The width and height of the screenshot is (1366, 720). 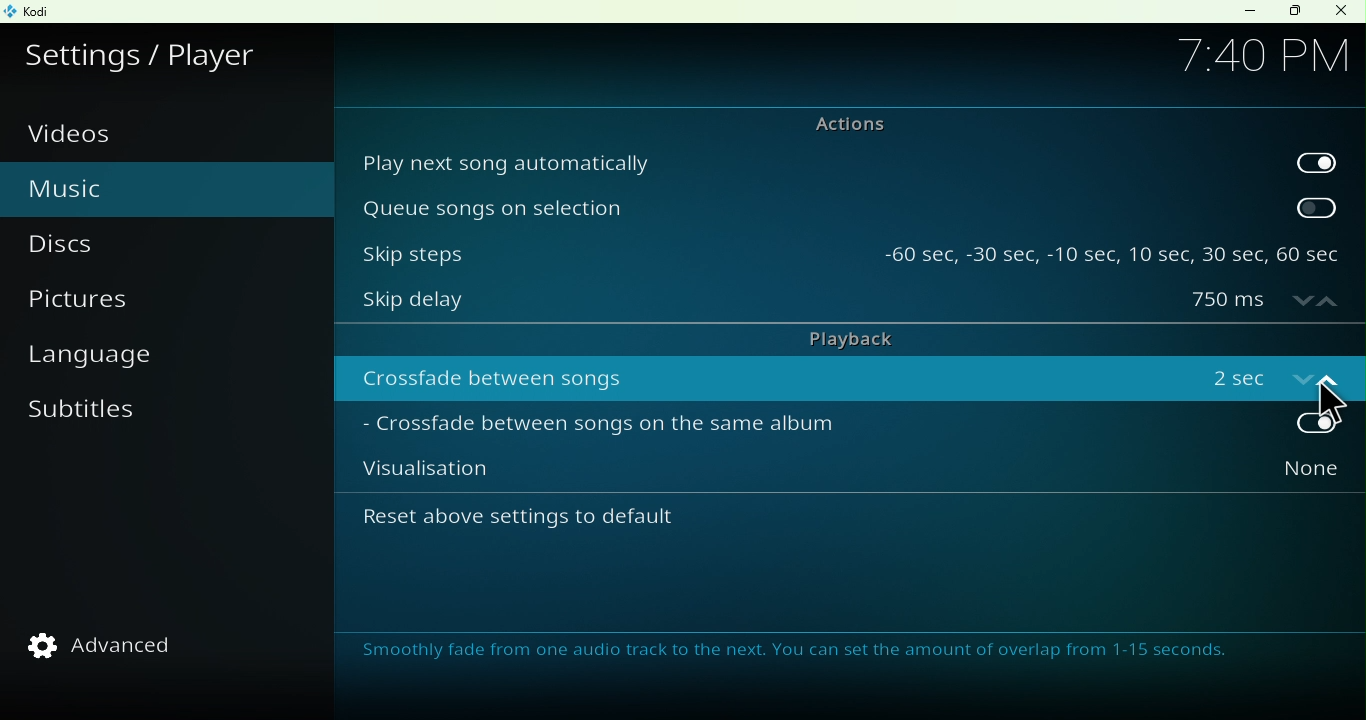 I want to click on Music, so click(x=112, y=186).